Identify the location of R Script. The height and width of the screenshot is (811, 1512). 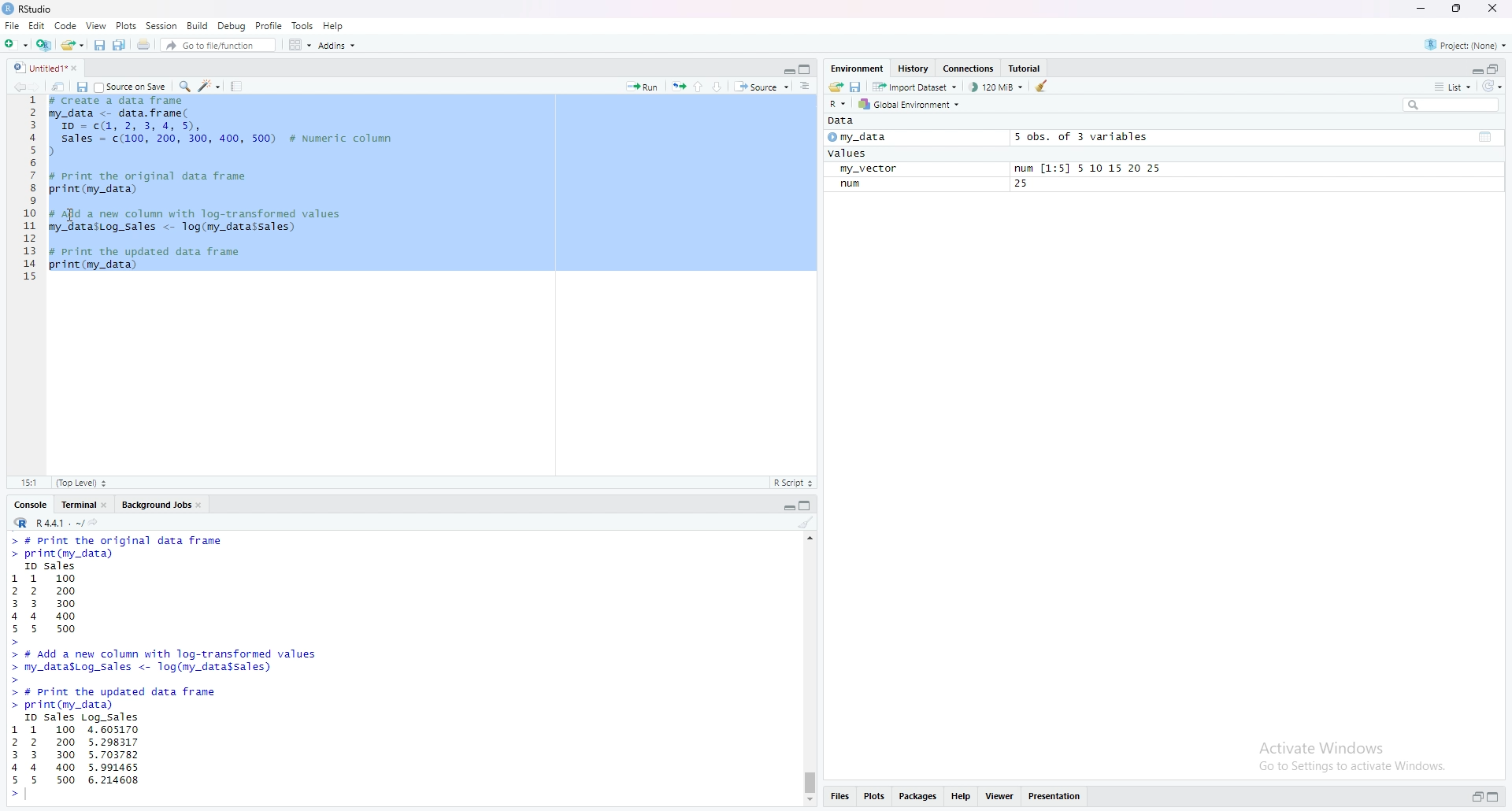
(798, 483).